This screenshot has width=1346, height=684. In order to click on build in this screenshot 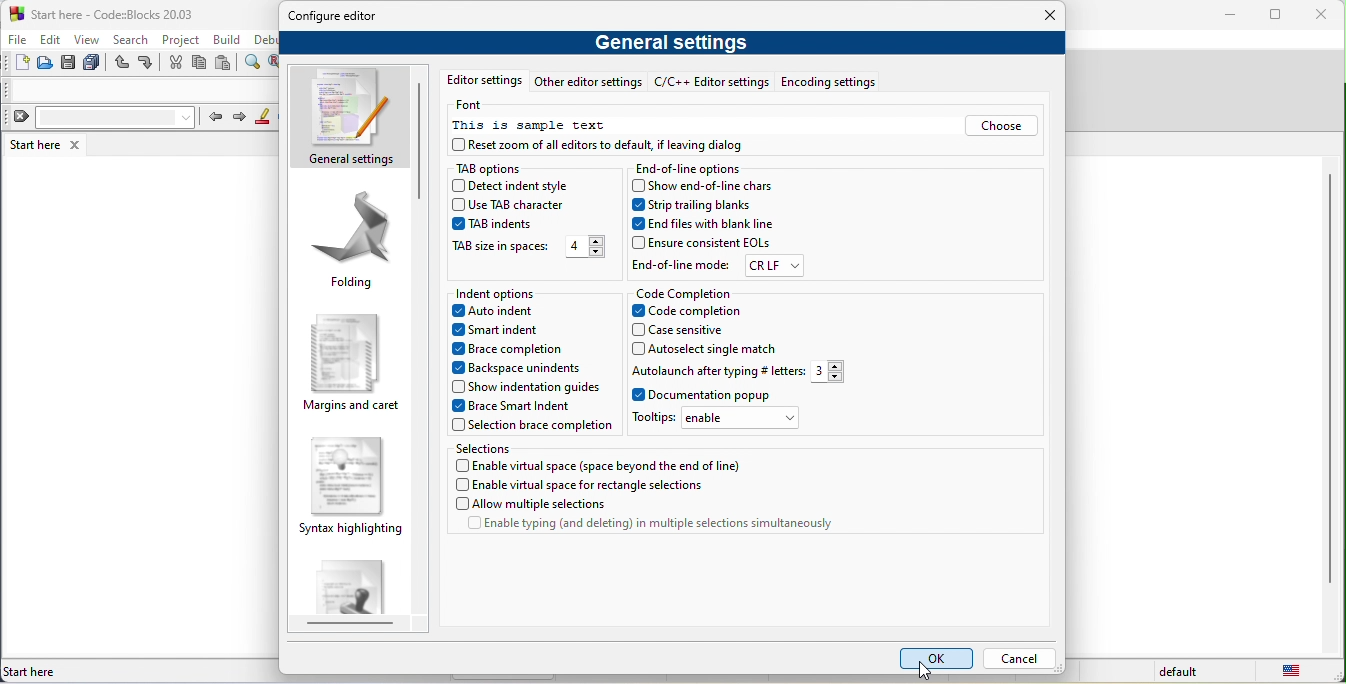, I will do `click(231, 39)`.